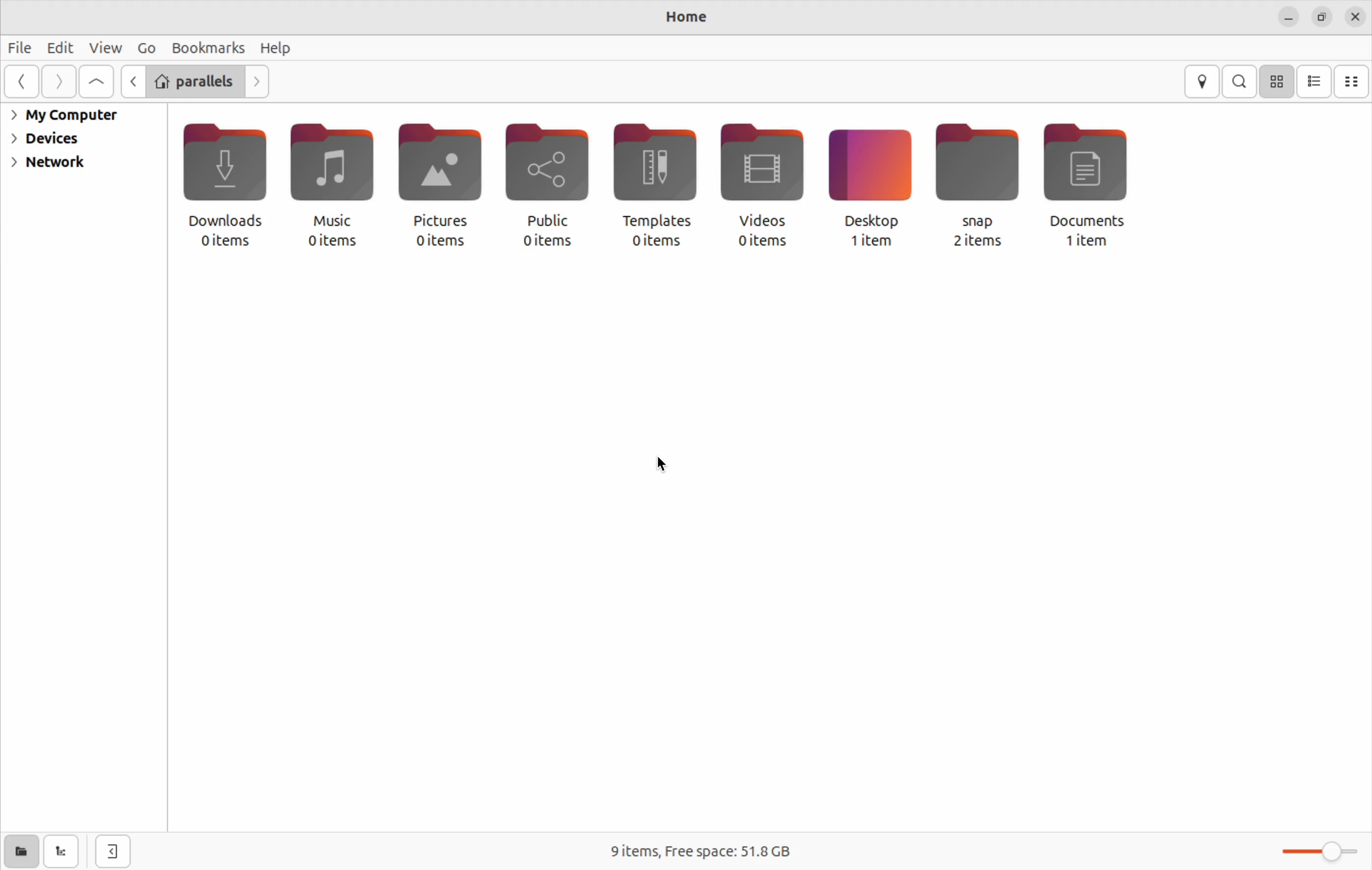 This screenshot has height=870, width=1372. What do you see at coordinates (1322, 854) in the screenshot?
I see `zoom toggle` at bounding box center [1322, 854].